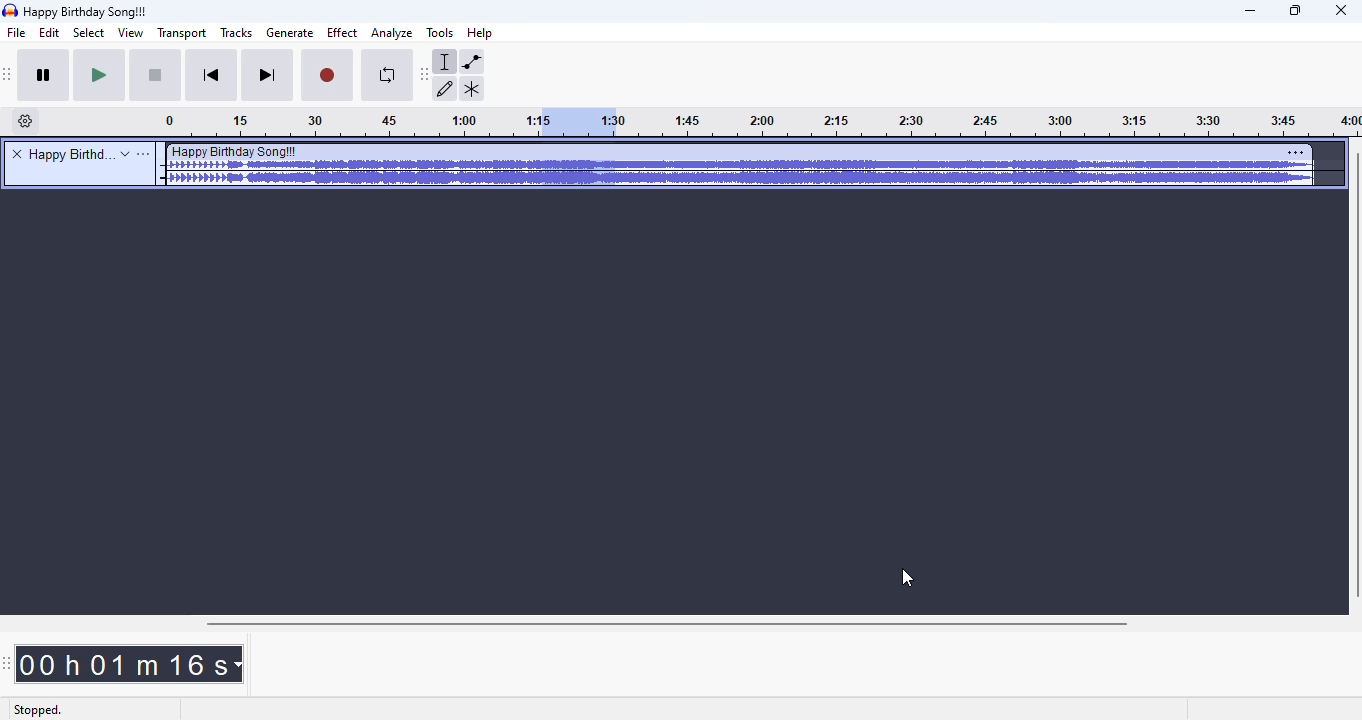 The width and height of the screenshot is (1362, 720). Describe the element at coordinates (268, 76) in the screenshot. I see `skip to end` at that location.